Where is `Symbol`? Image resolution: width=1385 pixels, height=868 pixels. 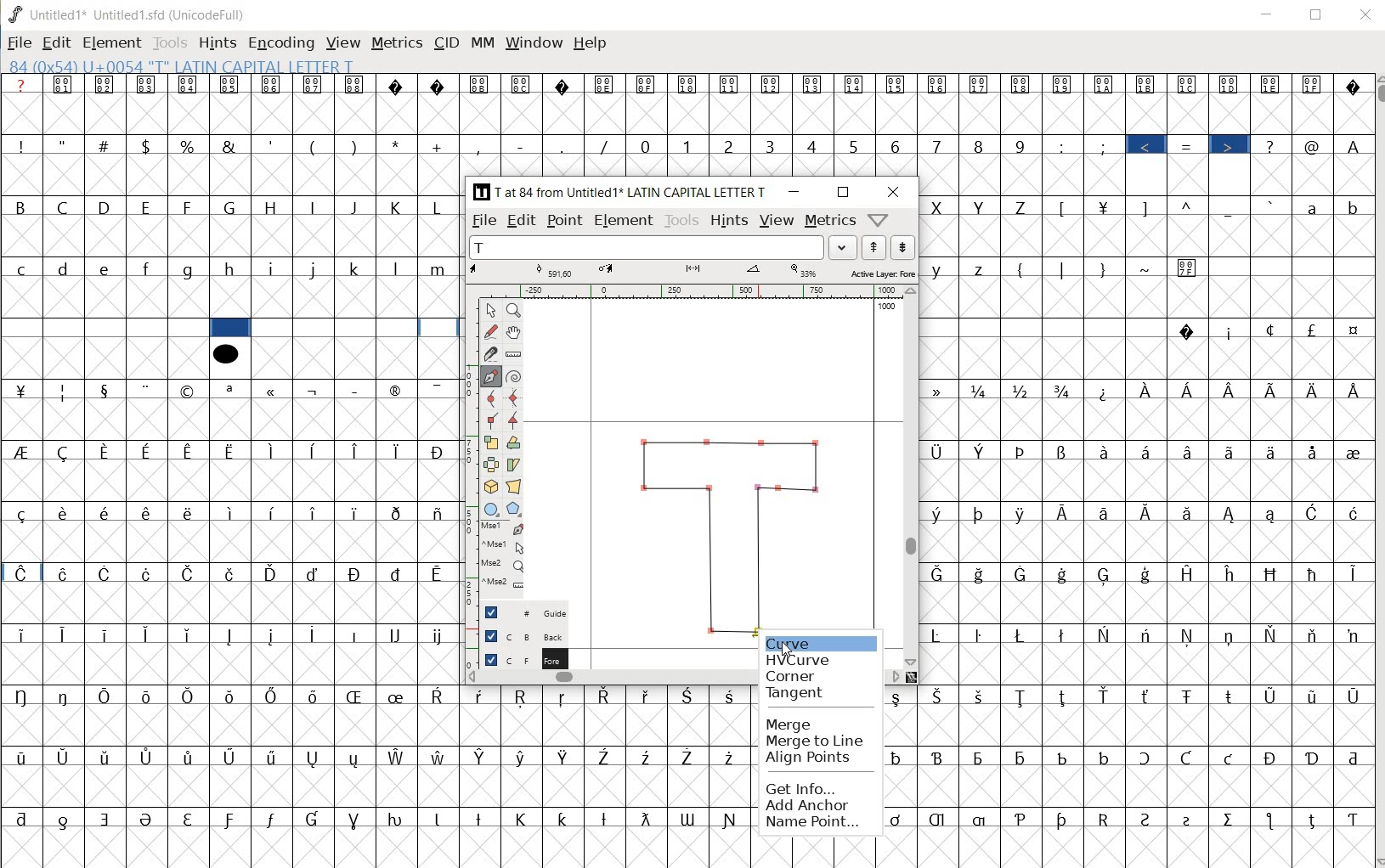
Symbol is located at coordinates (982, 696).